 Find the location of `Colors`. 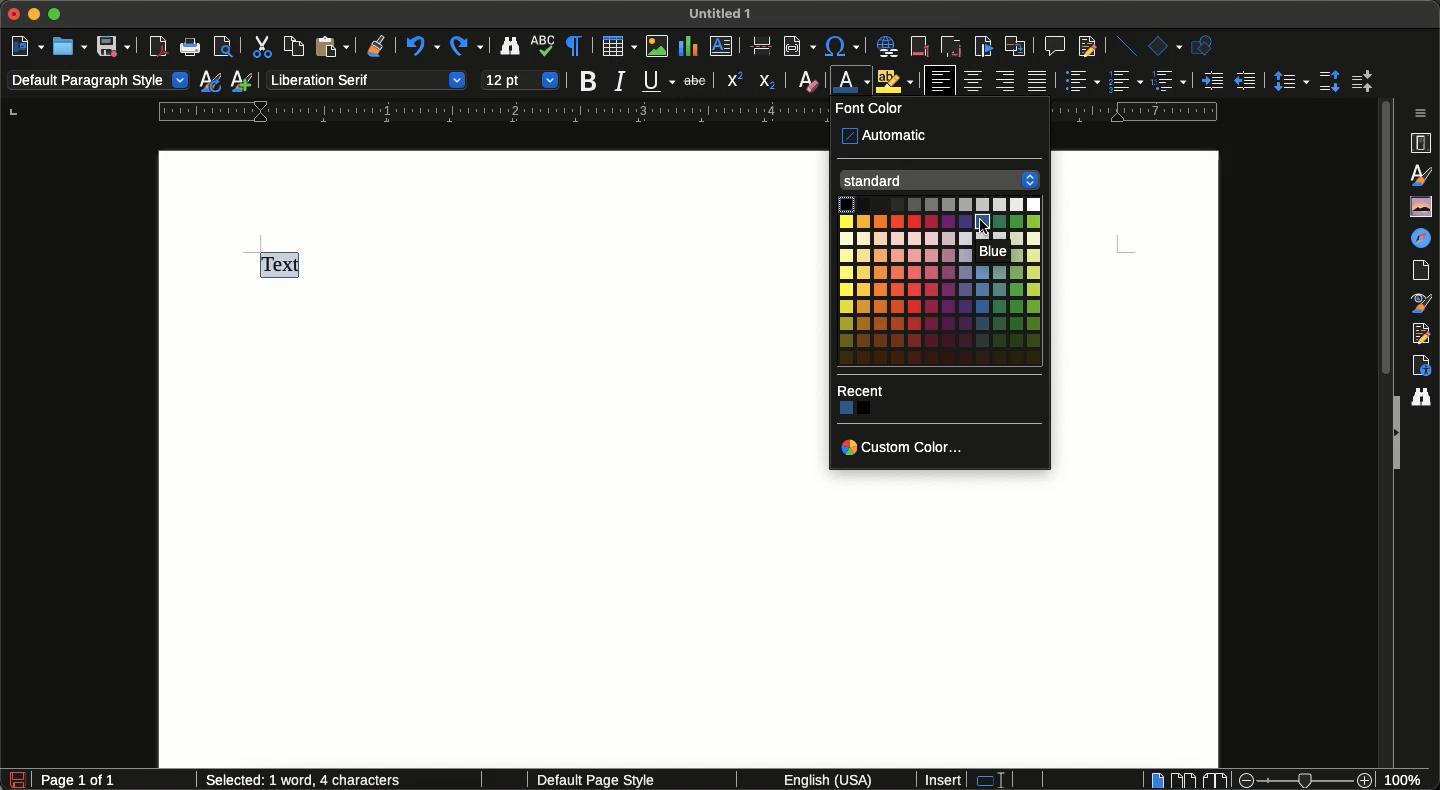

Colors is located at coordinates (853, 411).